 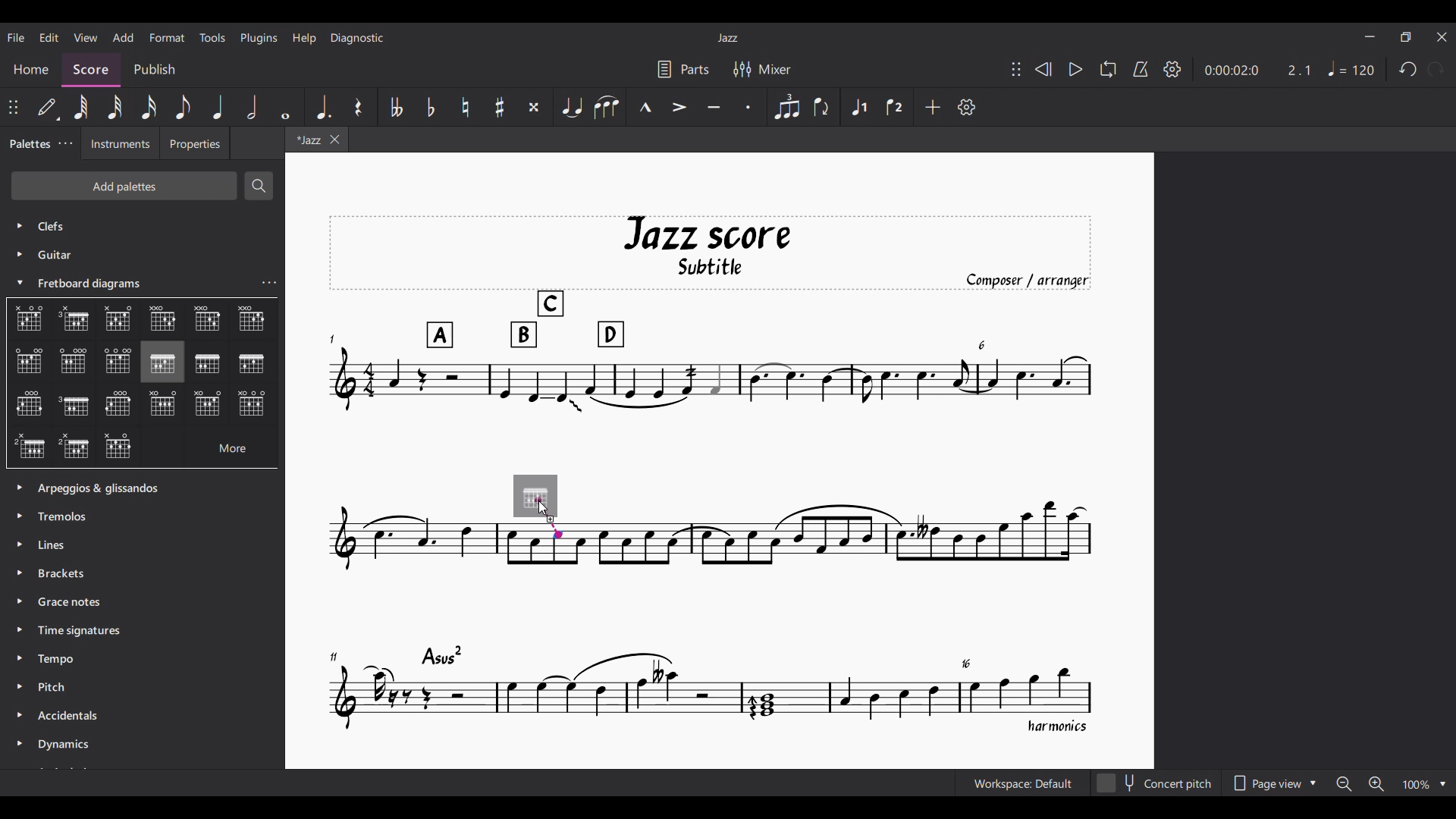 What do you see at coordinates (155, 69) in the screenshot?
I see `Publish` at bounding box center [155, 69].